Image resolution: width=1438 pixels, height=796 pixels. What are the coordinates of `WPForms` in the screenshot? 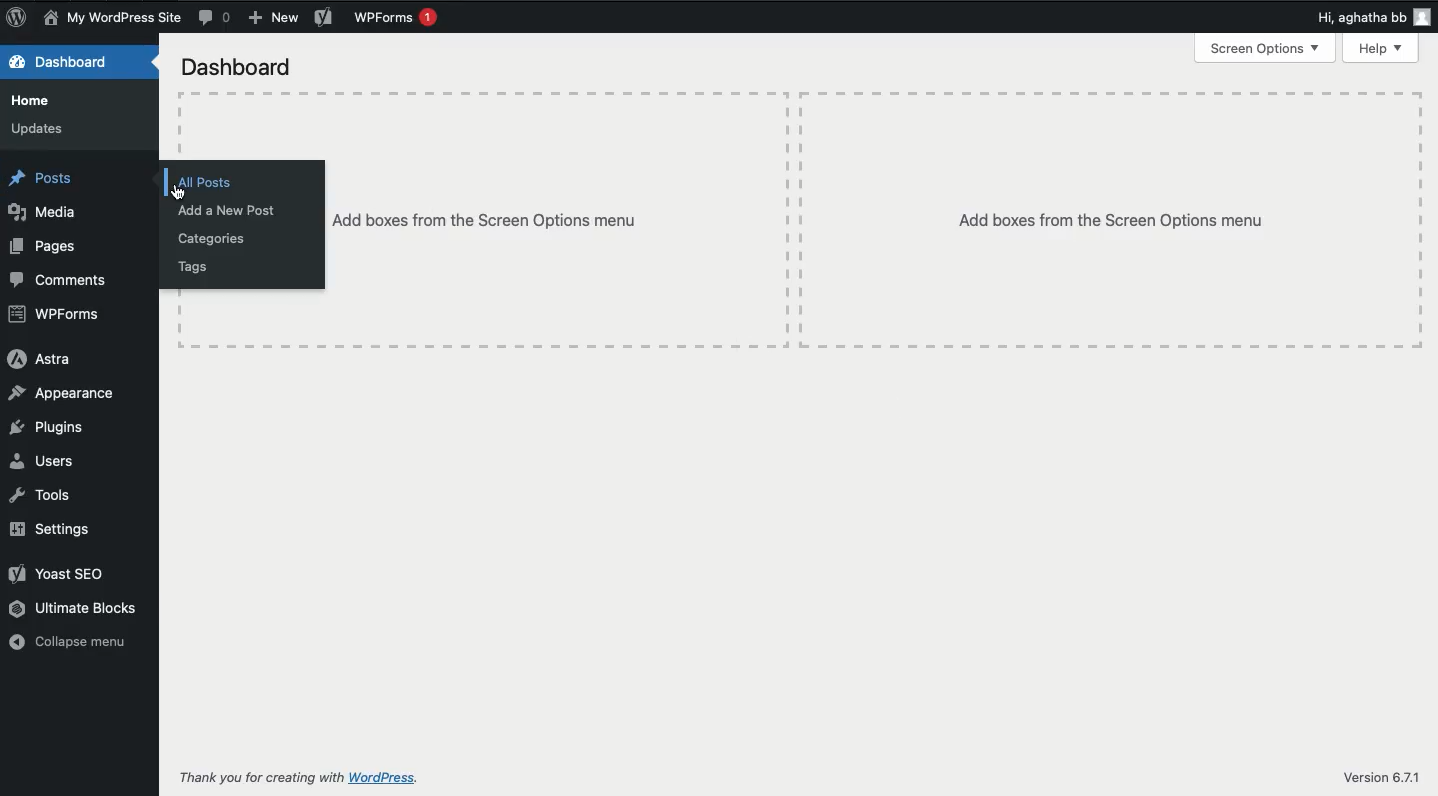 It's located at (61, 314).